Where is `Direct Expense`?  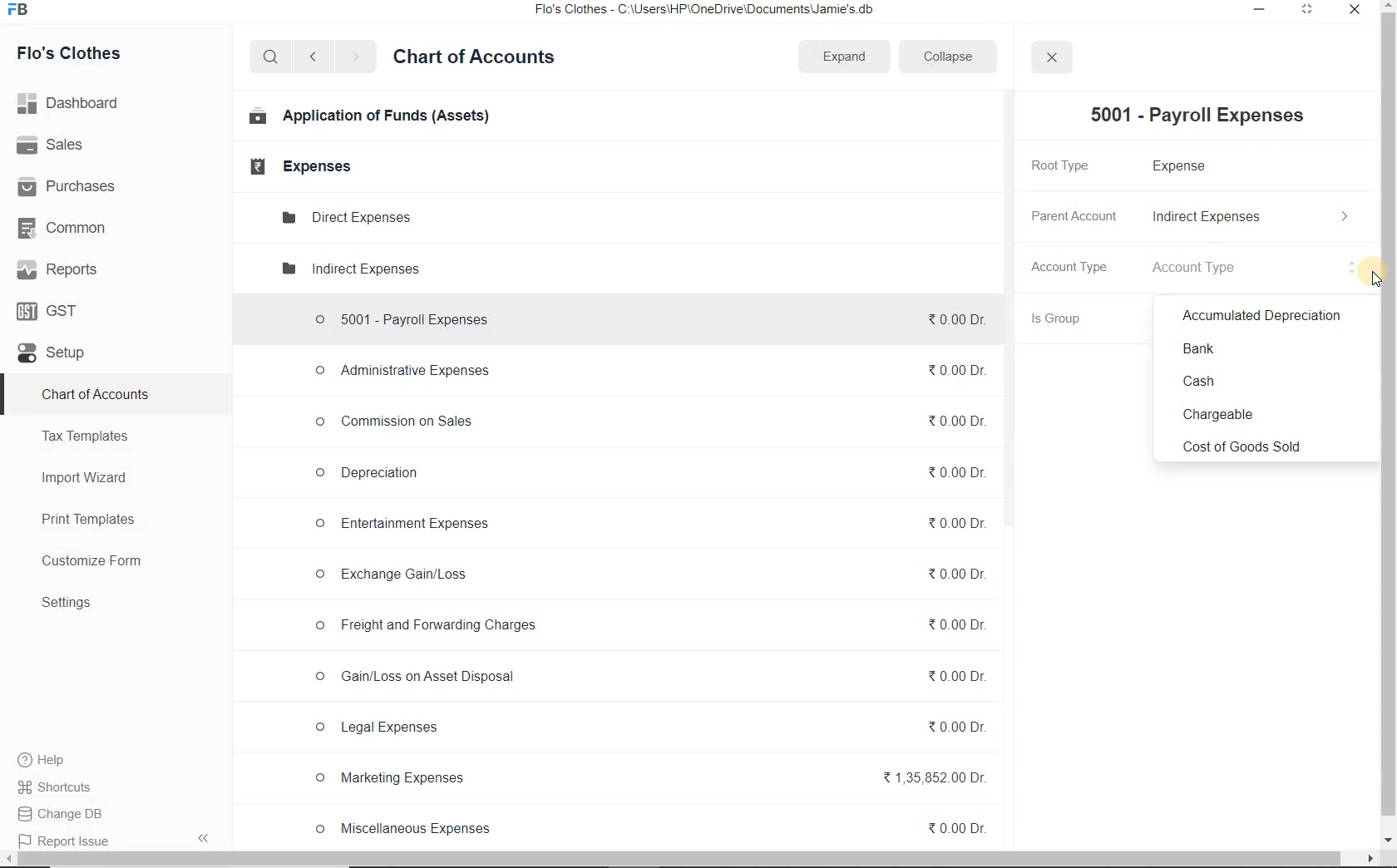
Direct Expense is located at coordinates (344, 216).